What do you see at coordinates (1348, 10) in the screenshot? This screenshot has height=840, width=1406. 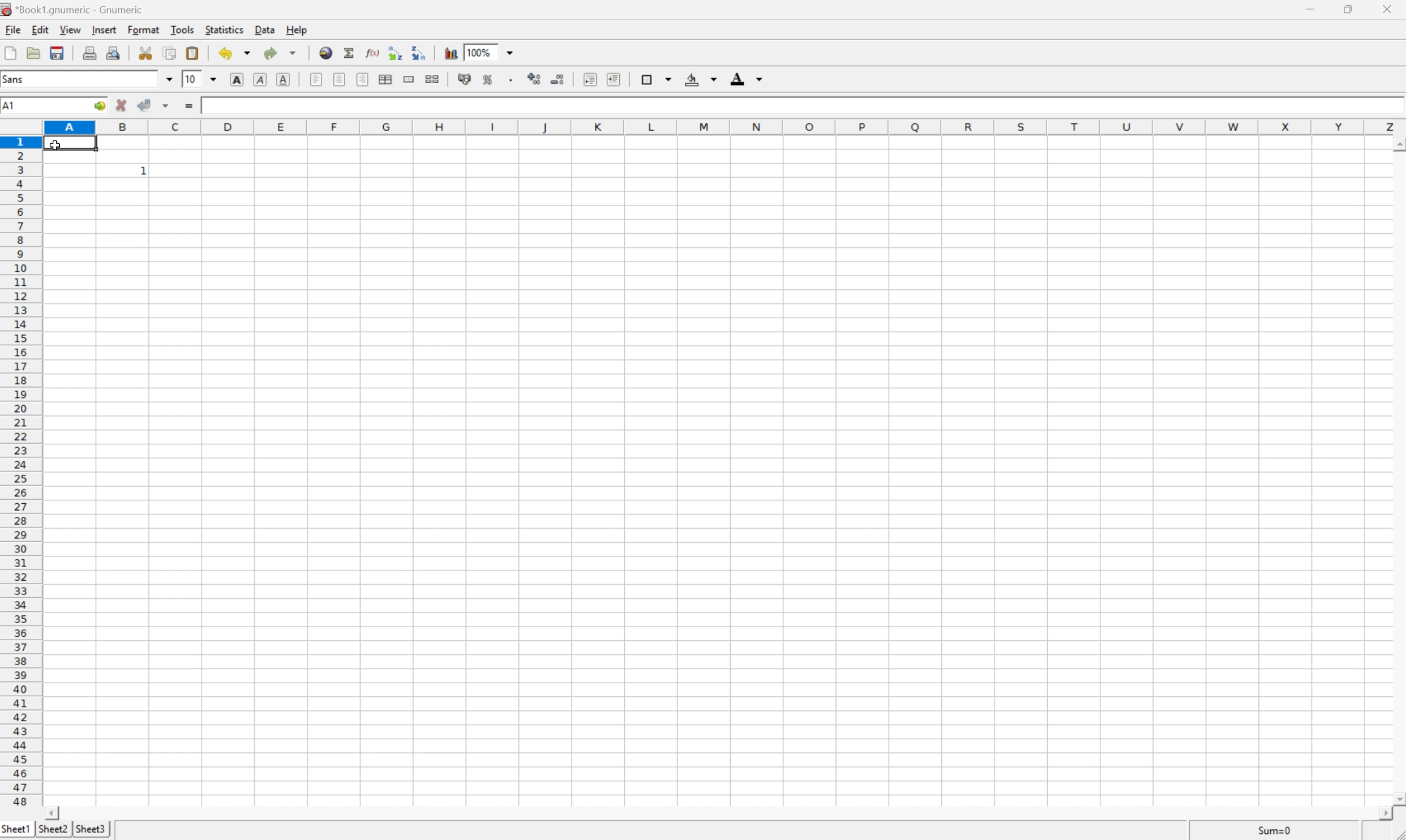 I see `restore down` at bounding box center [1348, 10].